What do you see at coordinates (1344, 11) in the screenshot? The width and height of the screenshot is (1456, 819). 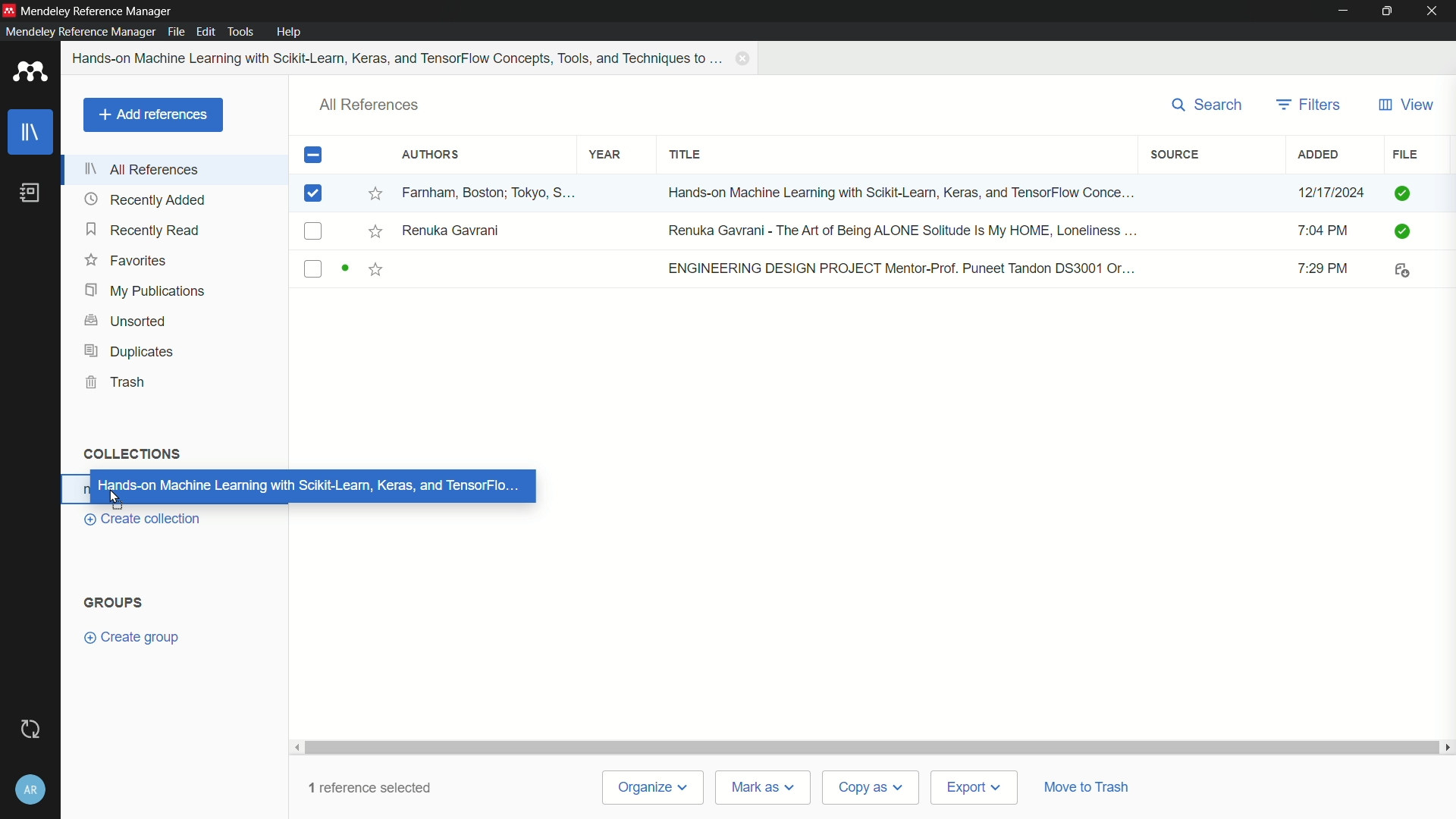 I see `minimize` at bounding box center [1344, 11].